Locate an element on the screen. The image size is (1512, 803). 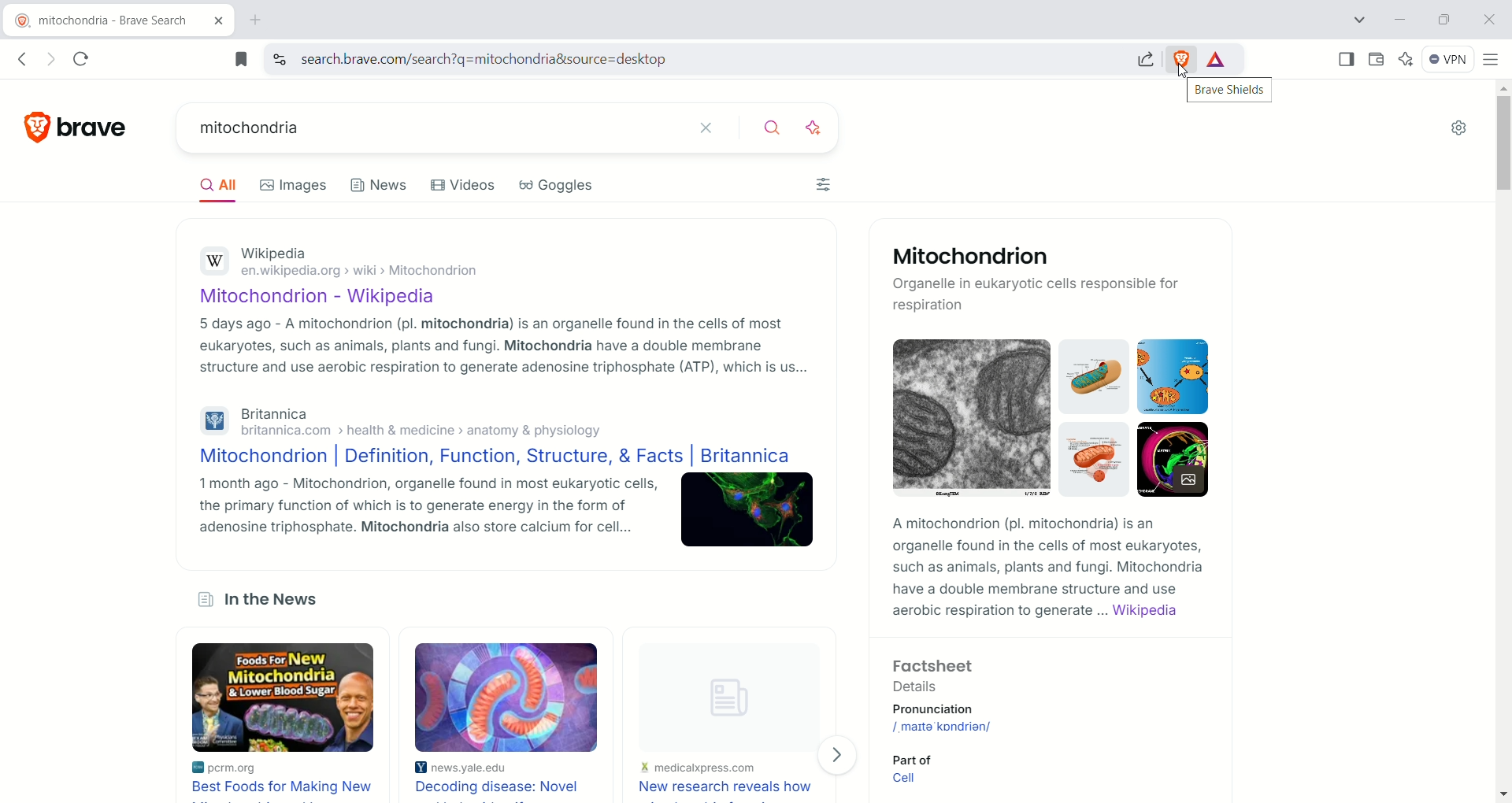
wallet is located at coordinates (1378, 58).